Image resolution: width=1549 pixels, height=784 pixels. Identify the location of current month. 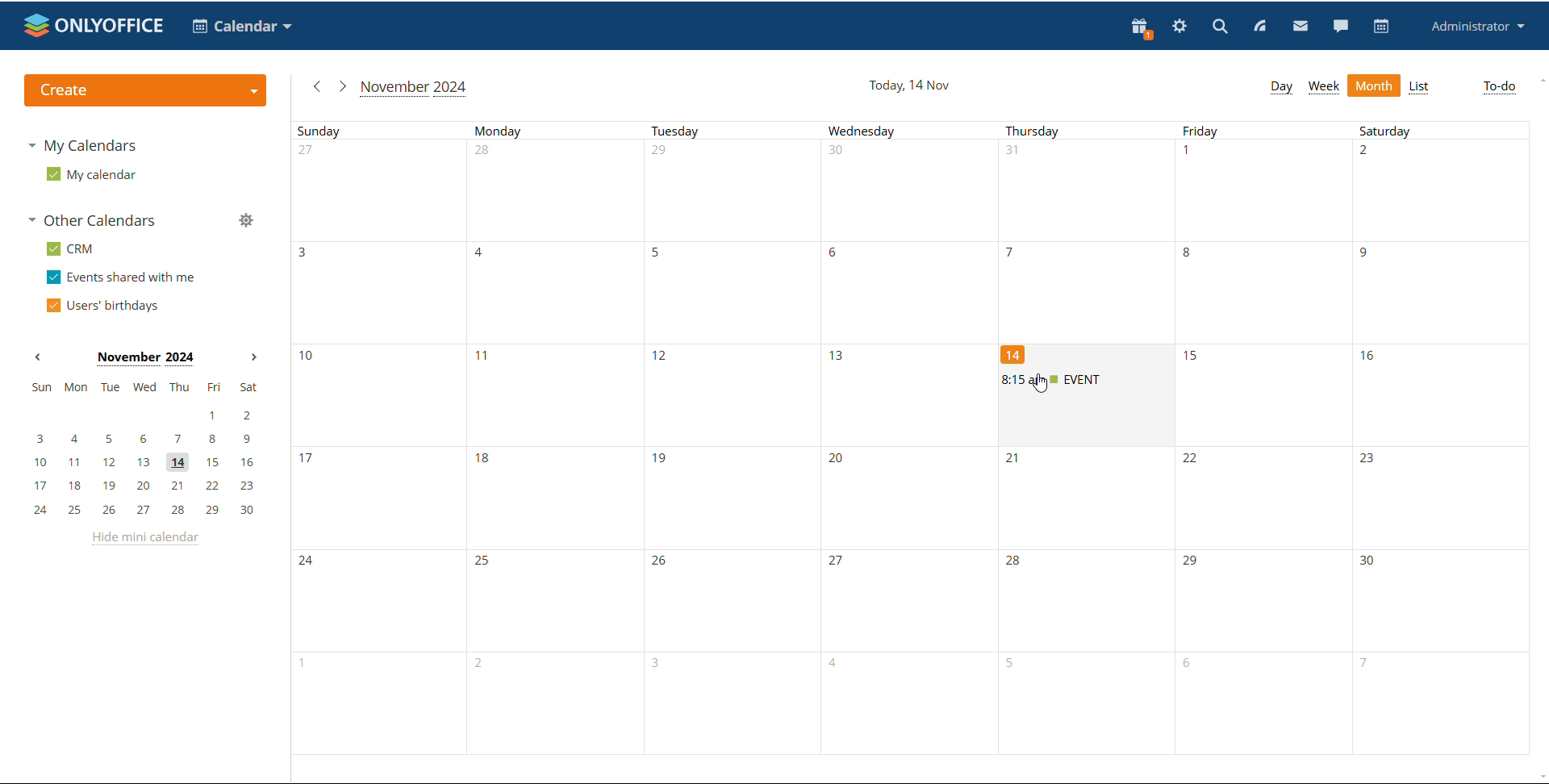
(144, 359).